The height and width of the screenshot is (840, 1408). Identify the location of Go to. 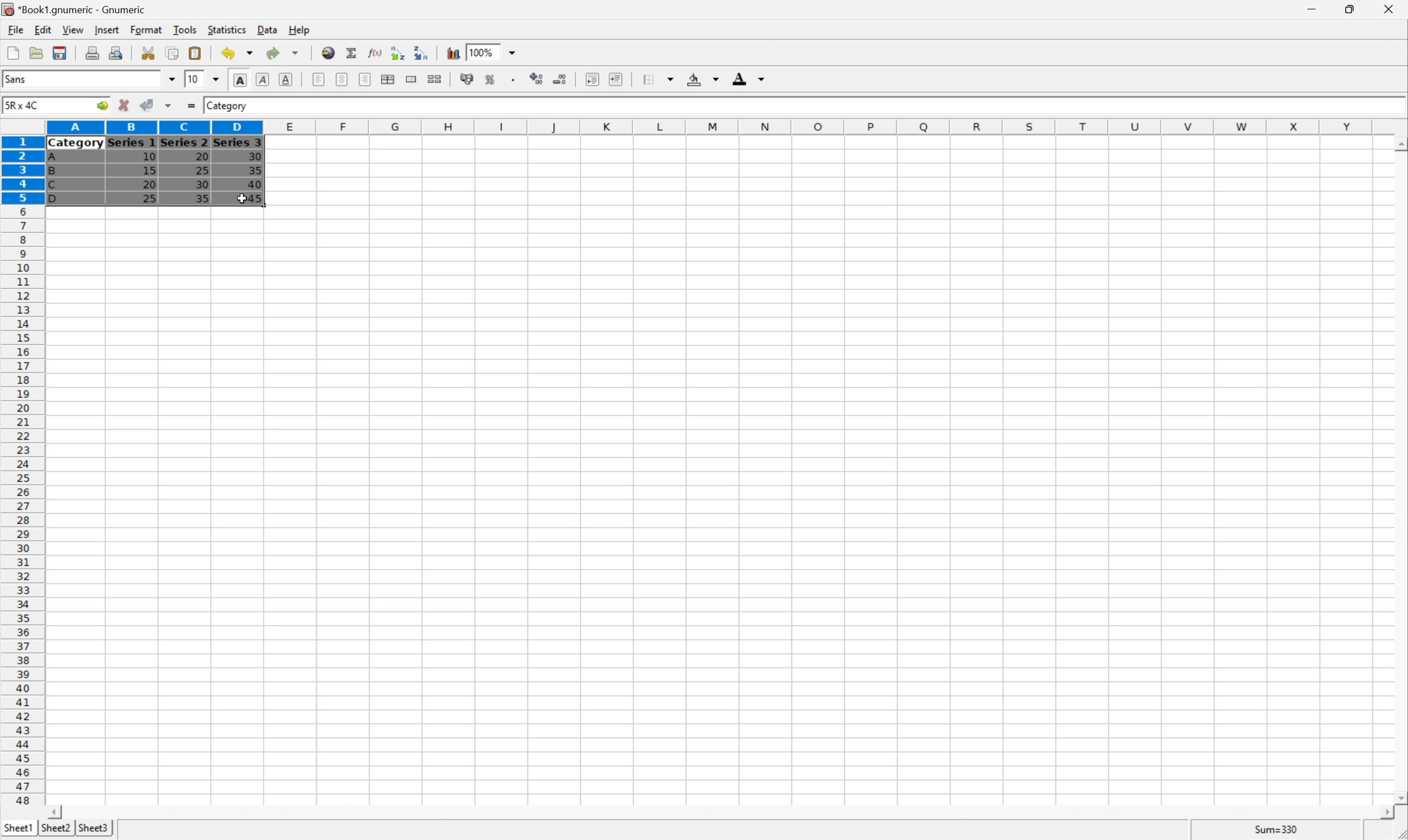
(100, 105).